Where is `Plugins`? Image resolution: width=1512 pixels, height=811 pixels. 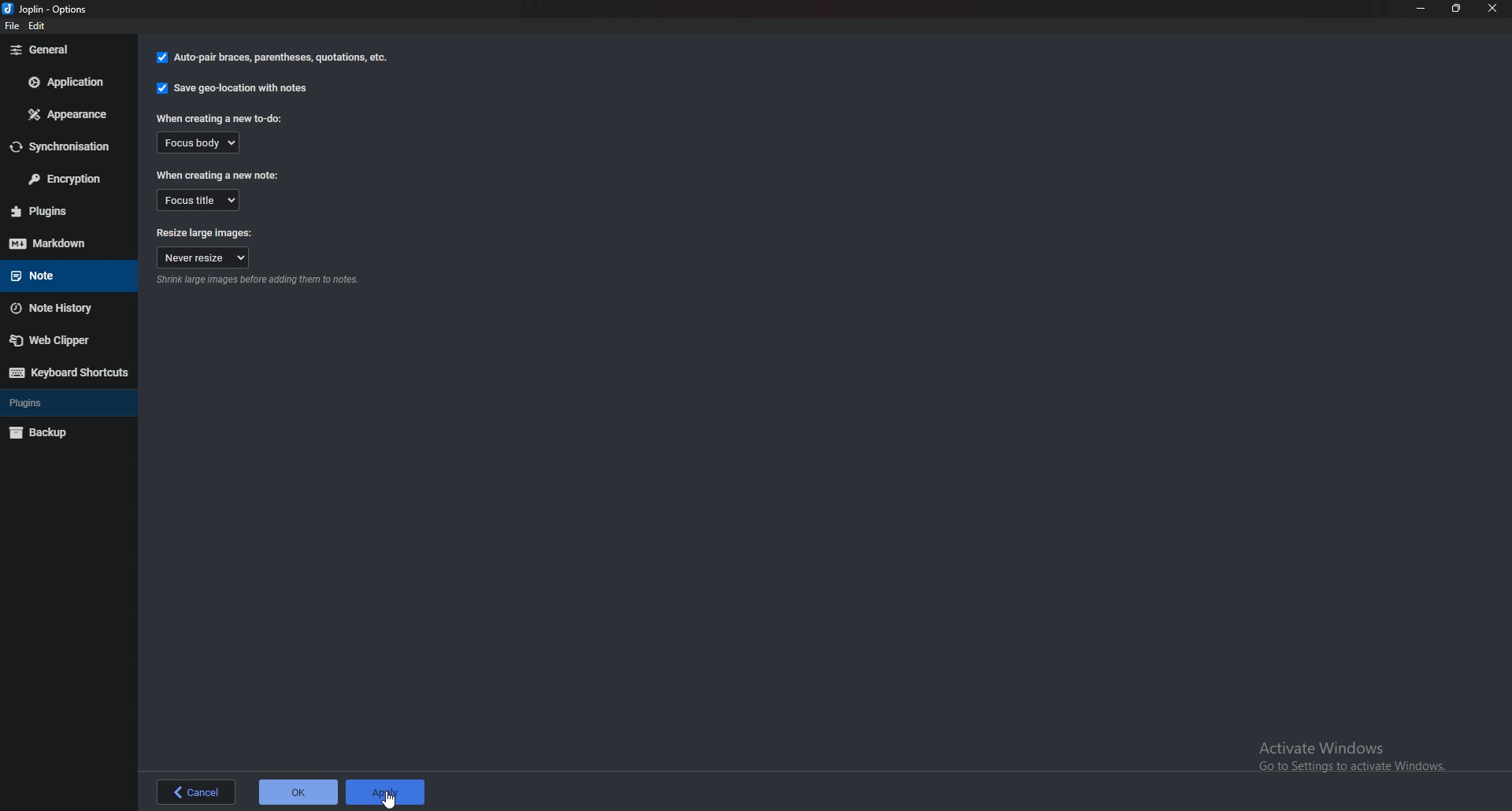
Plugins is located at coordinates (57, 402).